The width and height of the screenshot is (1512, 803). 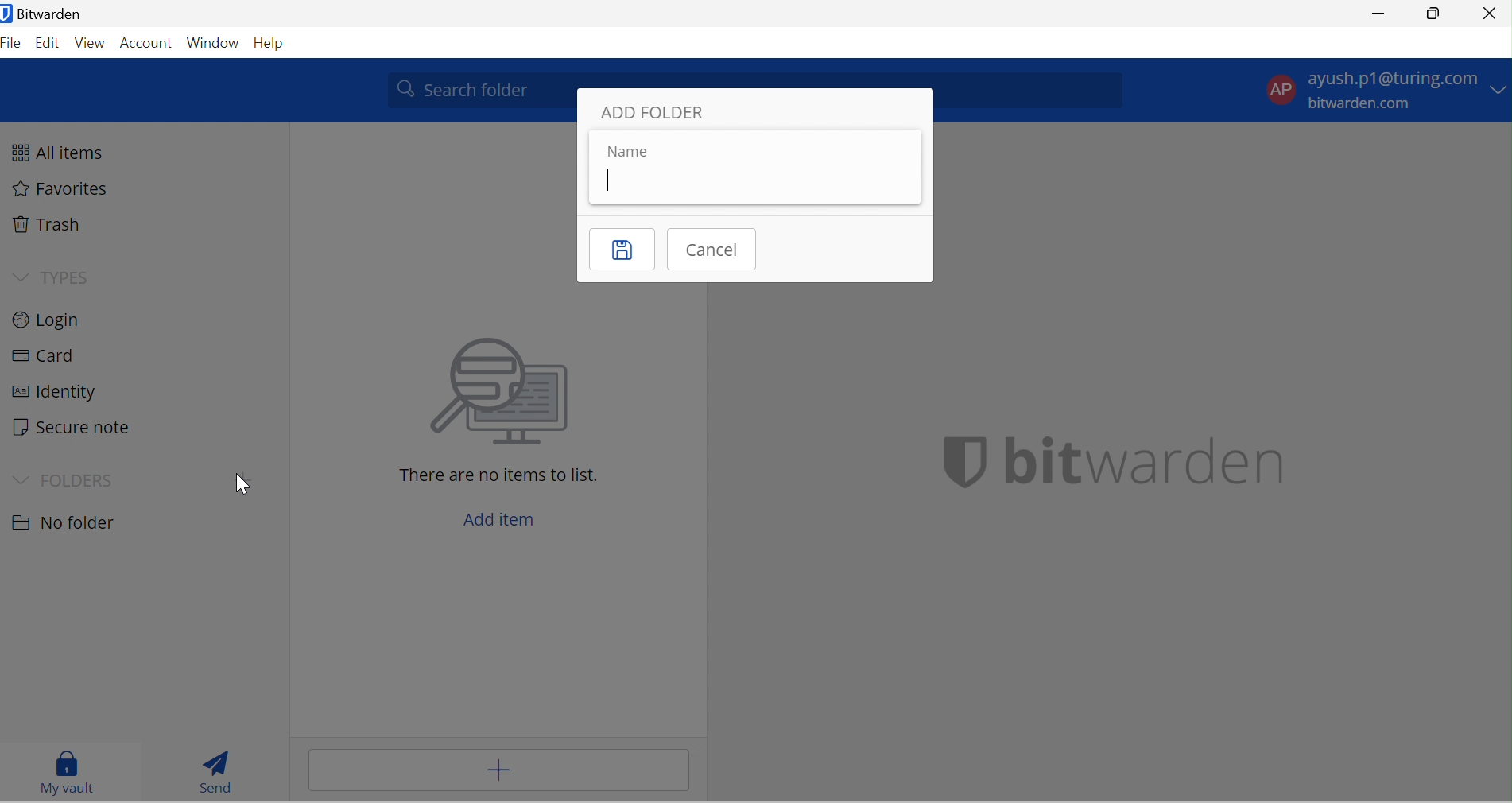 I want to click on Drop Down, so click(x=1500, y=90).